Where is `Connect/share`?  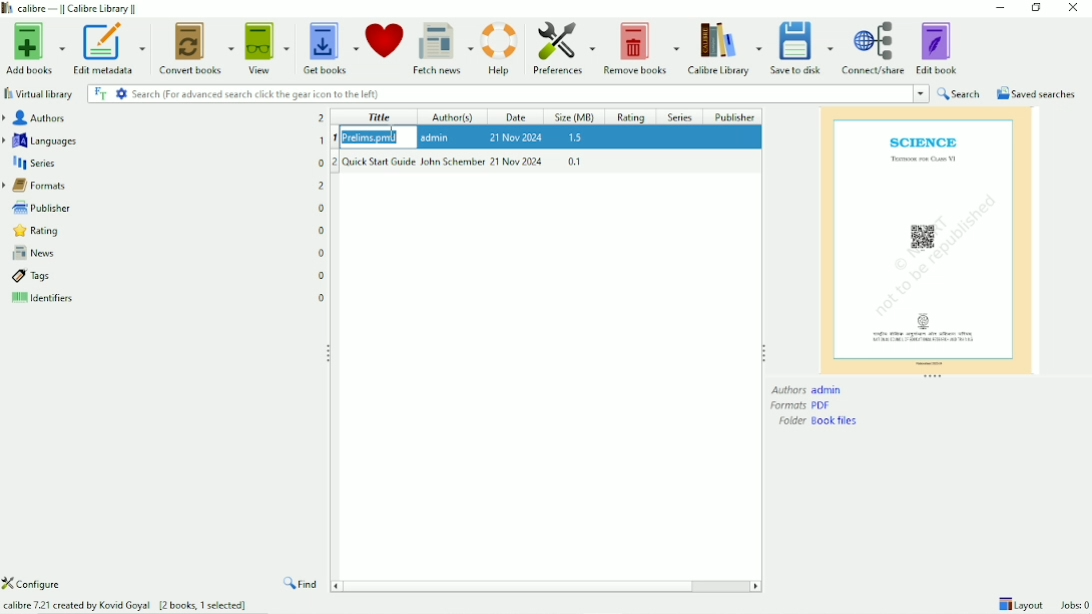 Connect/share is located at coordinates (875, 49).